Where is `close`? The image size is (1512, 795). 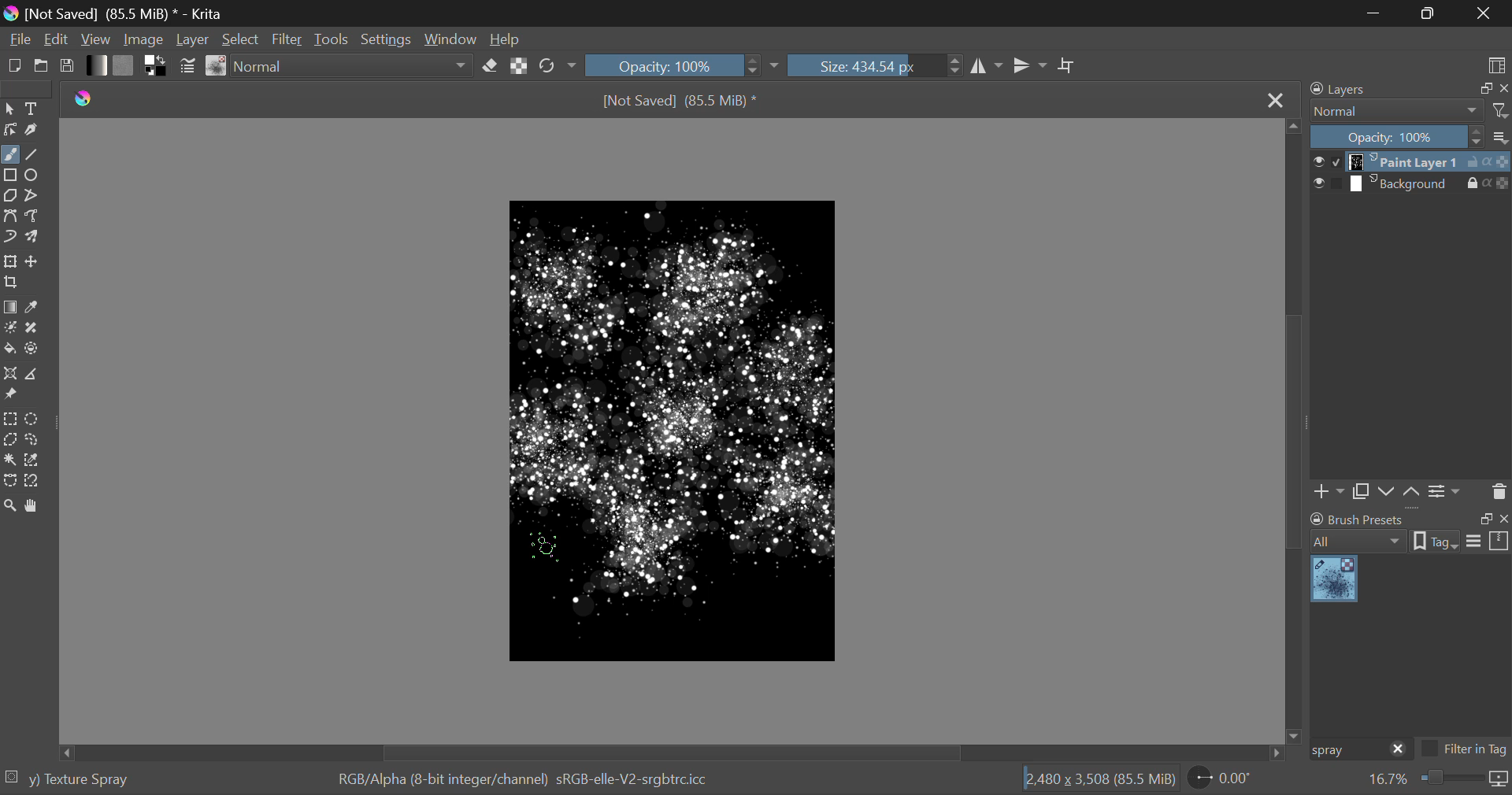 close is located at coordinates (1503, 89).